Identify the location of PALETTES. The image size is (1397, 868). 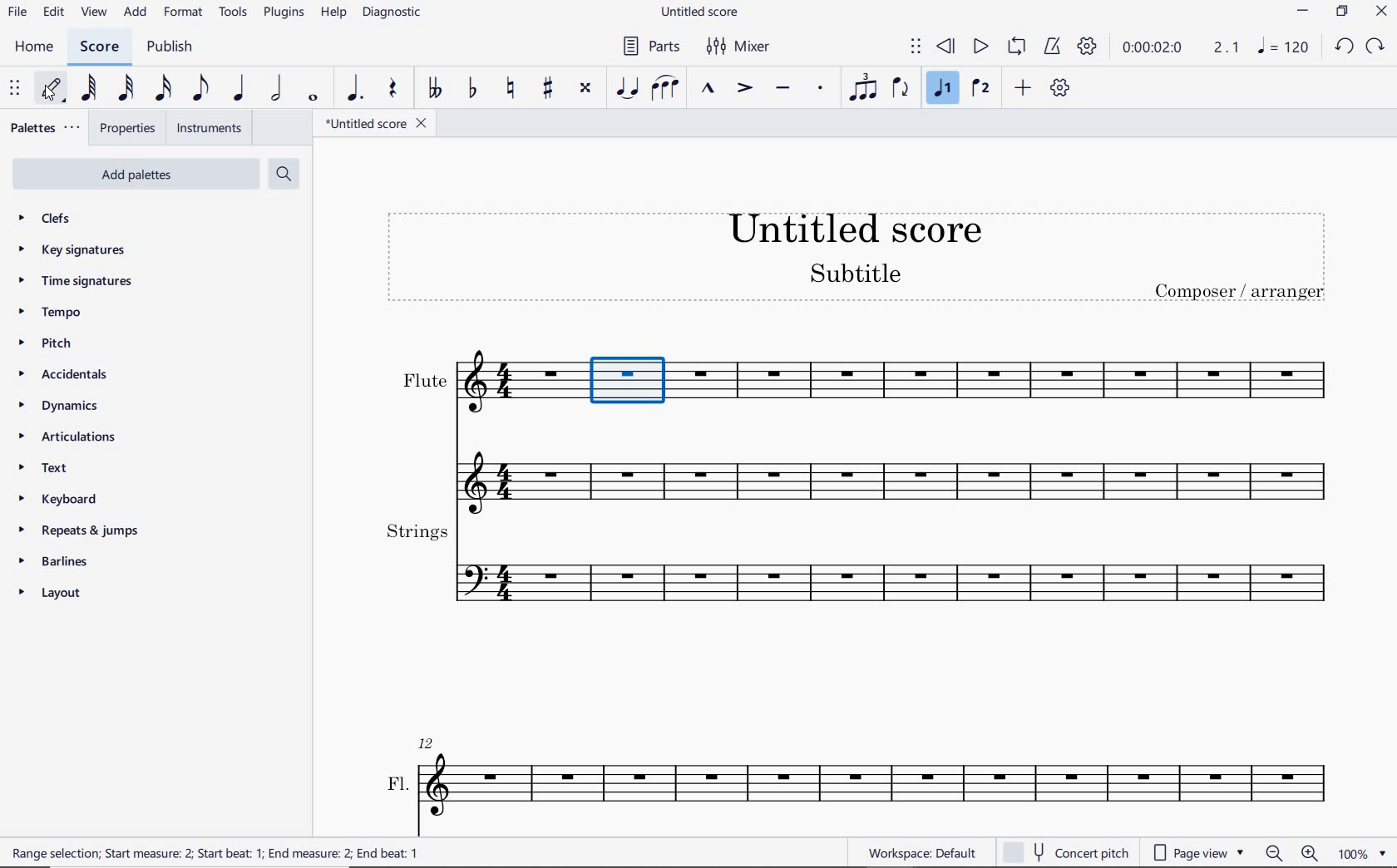
(47, 126).